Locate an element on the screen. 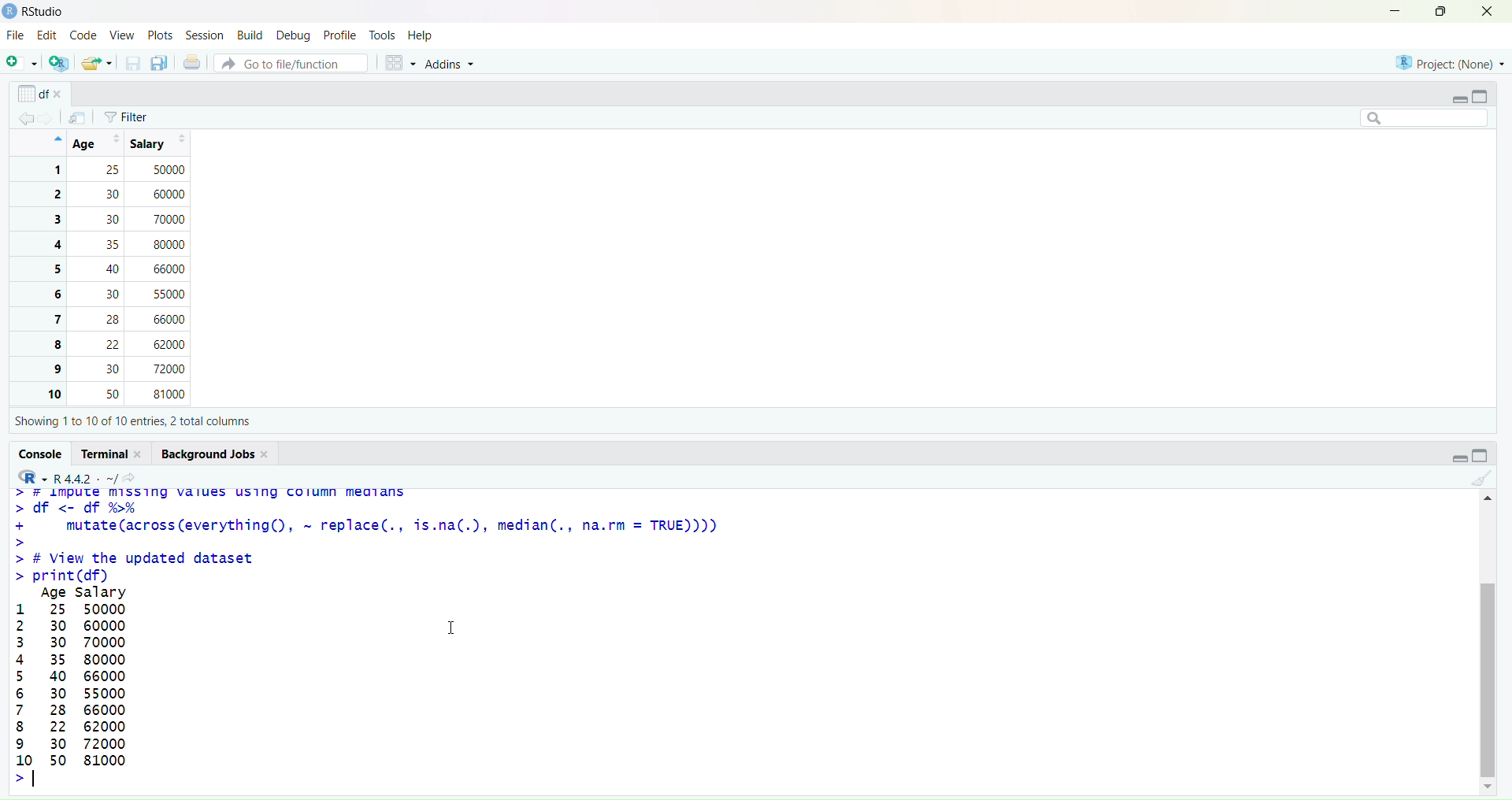 This screenshot has height=800, width=1512. terminal is located at coordinates (112, 454).